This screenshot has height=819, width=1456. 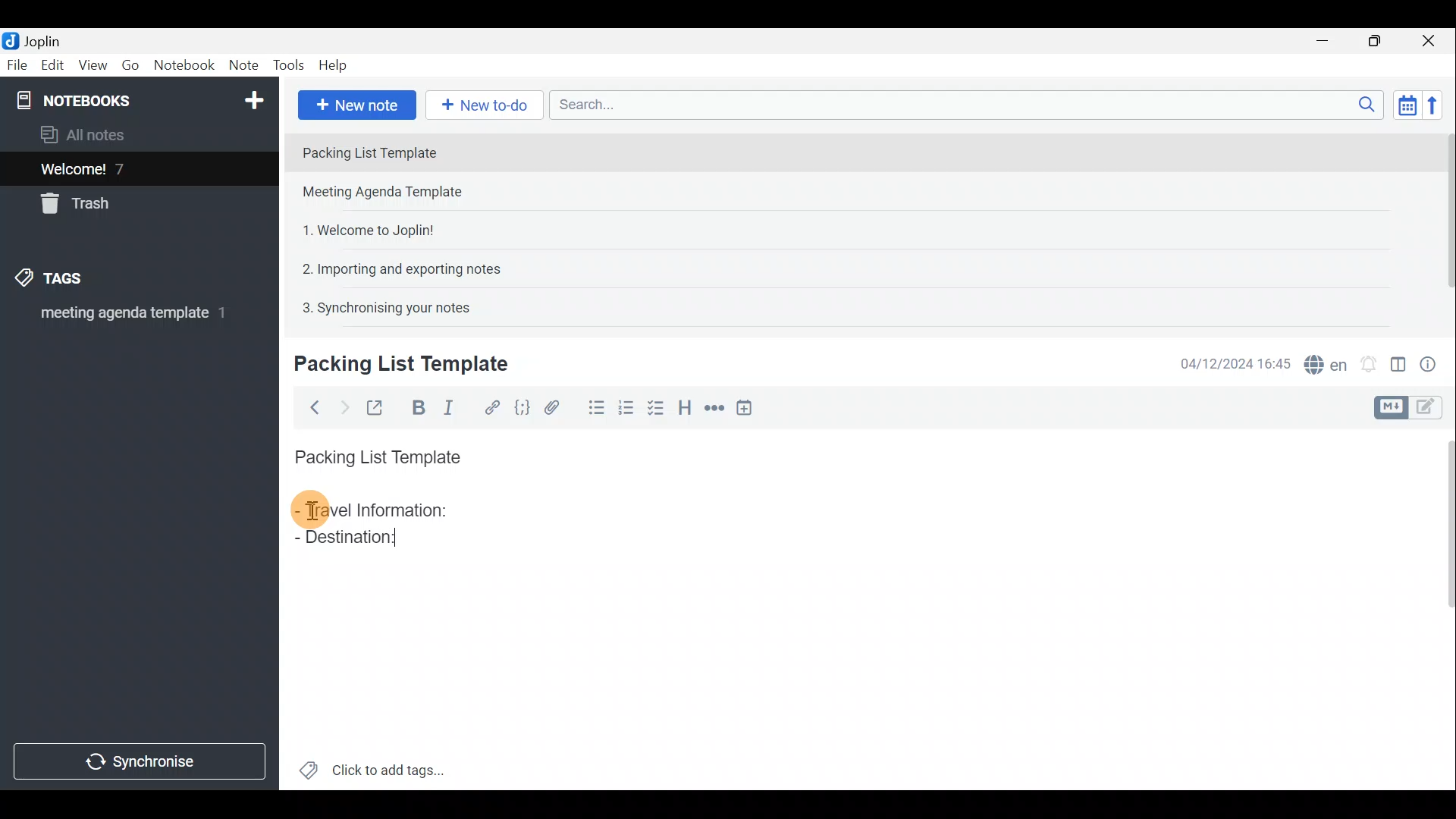 What do you see at coordinates (394, 266) in the screenshot?
I see `Note 4` at bounding box center [394, 266].